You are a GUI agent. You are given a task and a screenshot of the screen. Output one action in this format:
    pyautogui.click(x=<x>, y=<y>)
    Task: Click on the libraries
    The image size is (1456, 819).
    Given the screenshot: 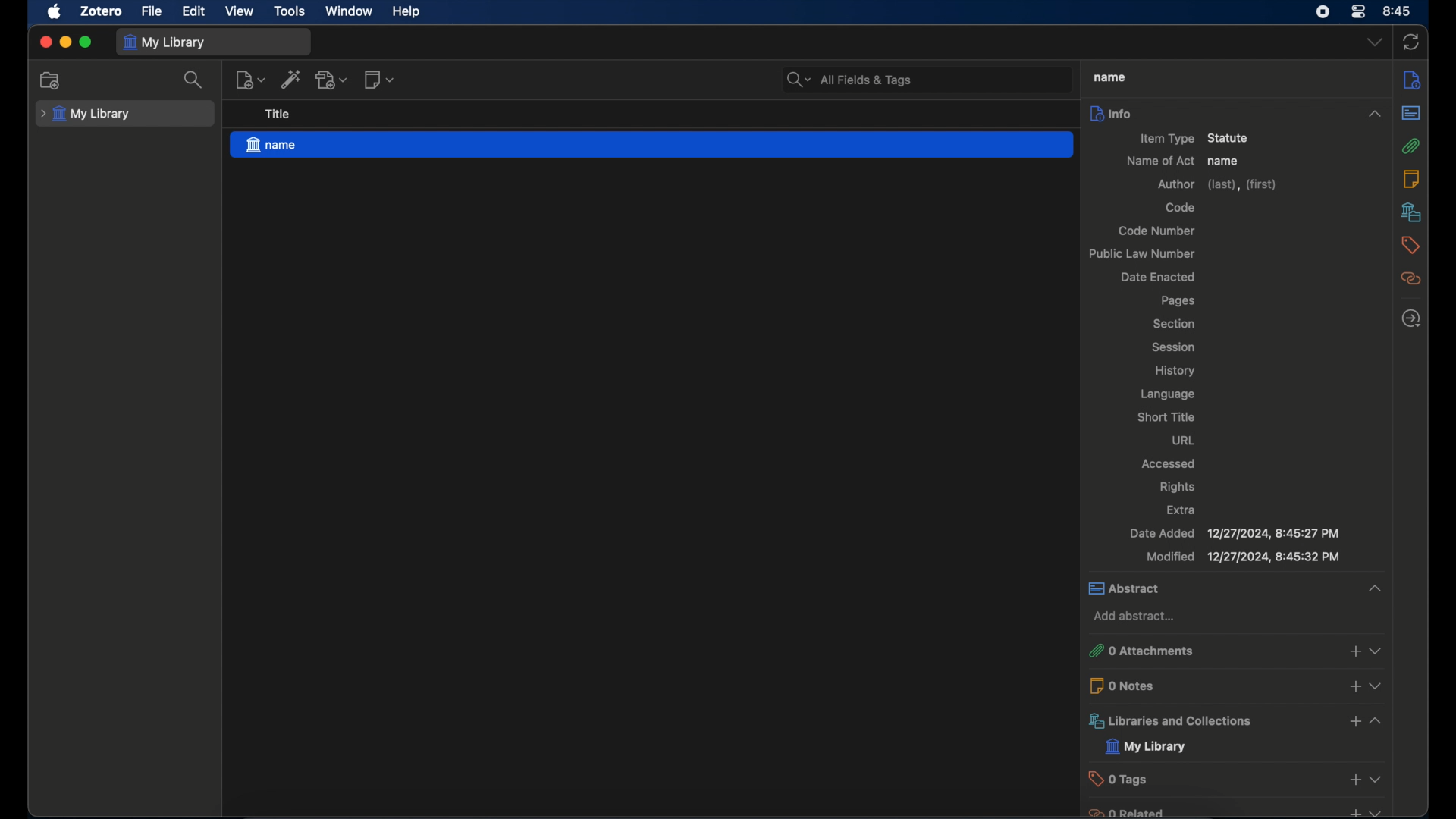 What is the action you would take?
    pyautogui.click(x=1410, y=212)
    